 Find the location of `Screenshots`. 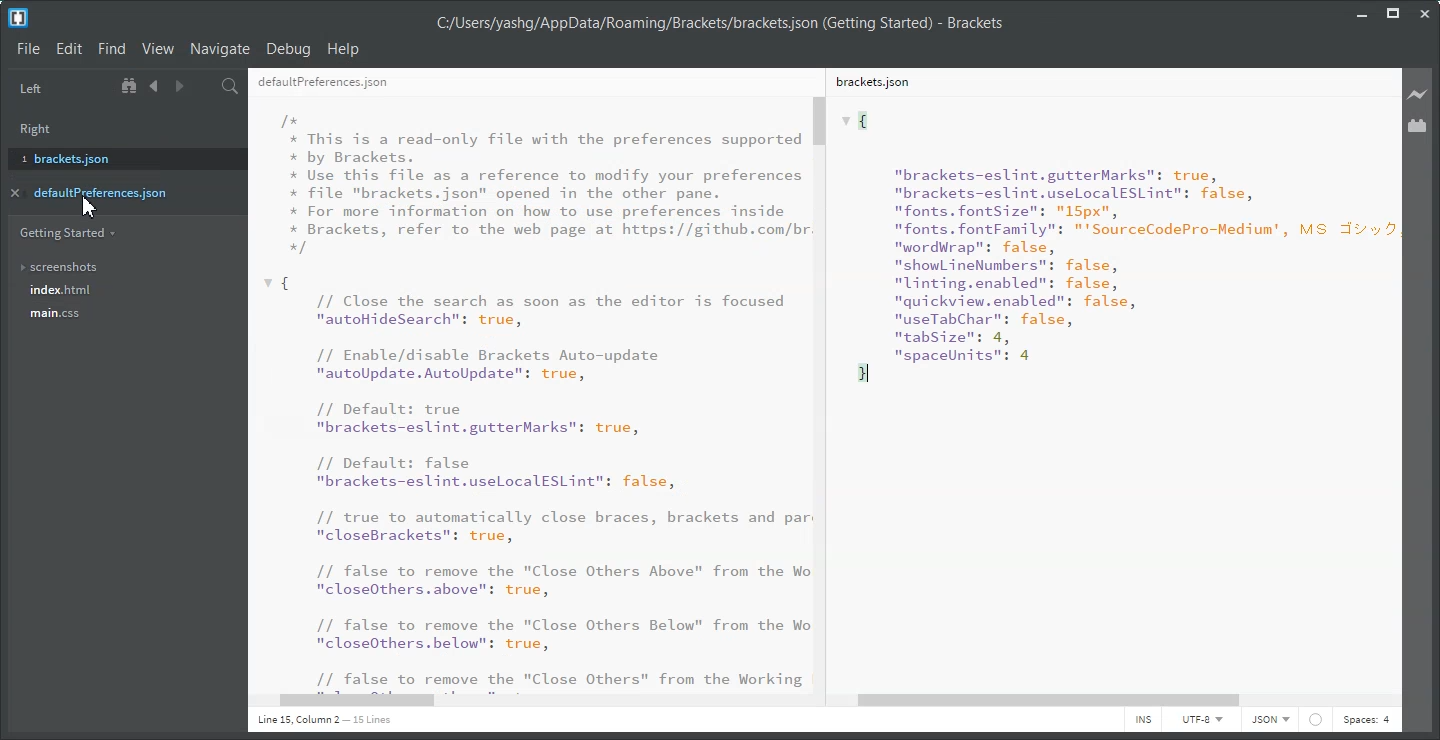

Screenshots is located at coordinates (121, 267).